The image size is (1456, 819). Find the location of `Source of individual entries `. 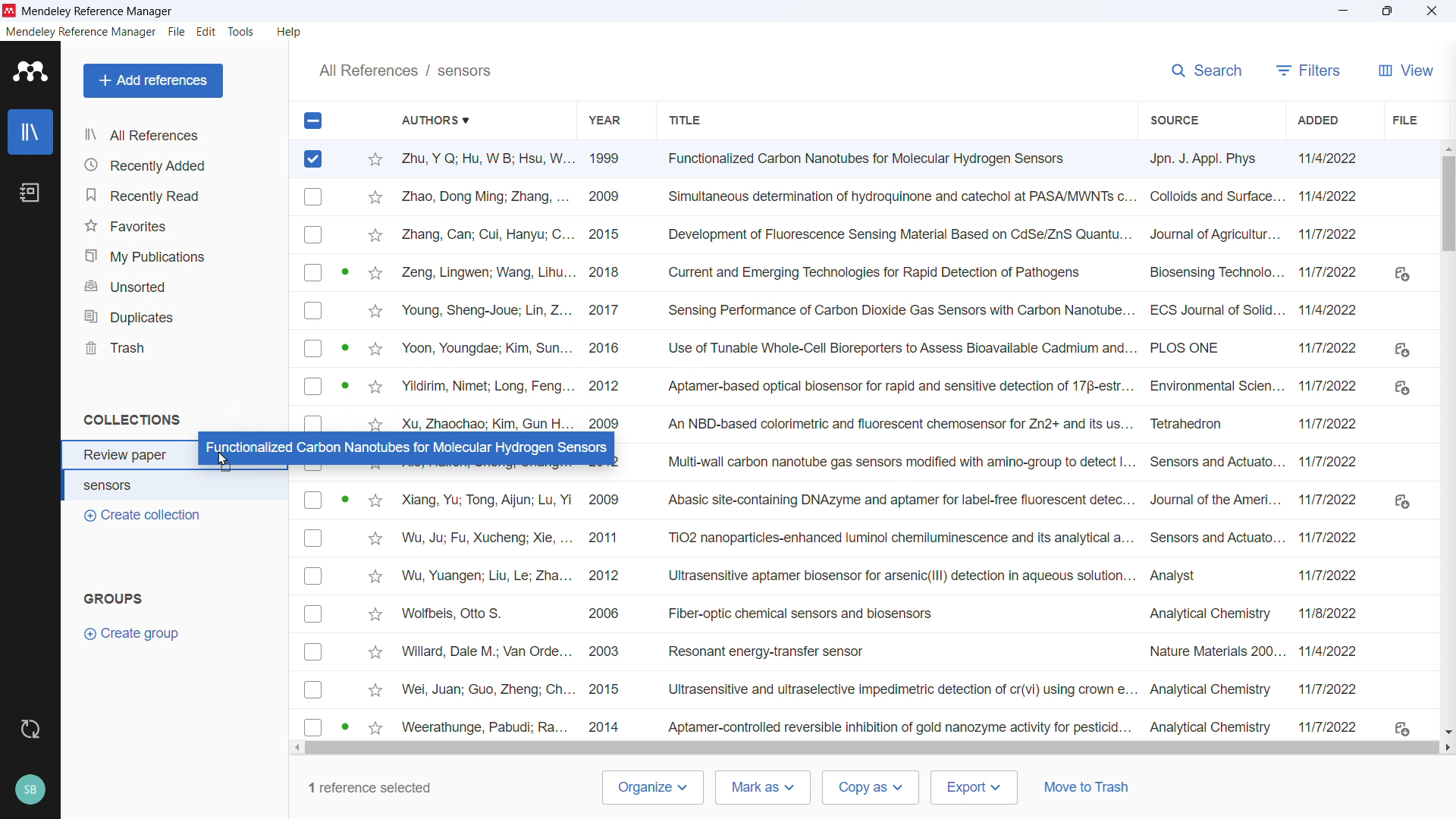

Source of individual entries  is located at coordinates (1214, 443).